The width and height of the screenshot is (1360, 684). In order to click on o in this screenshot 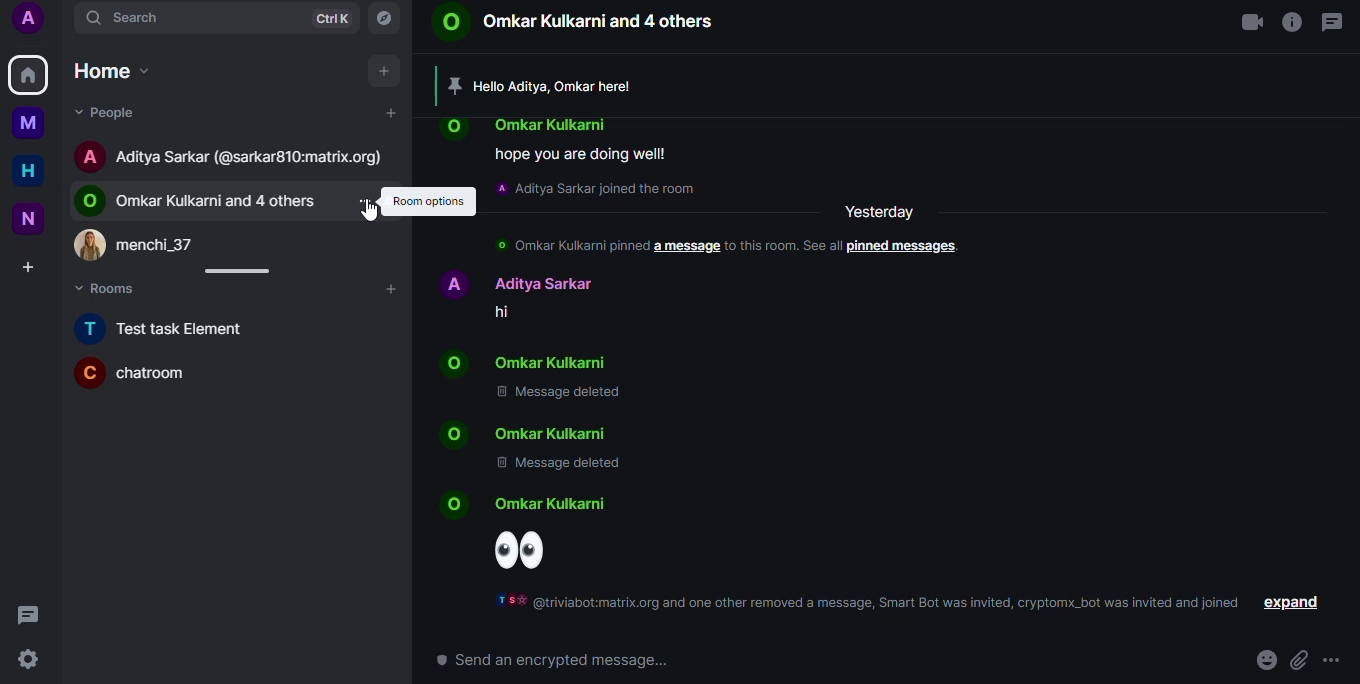, I will do `click(457, 363)`.